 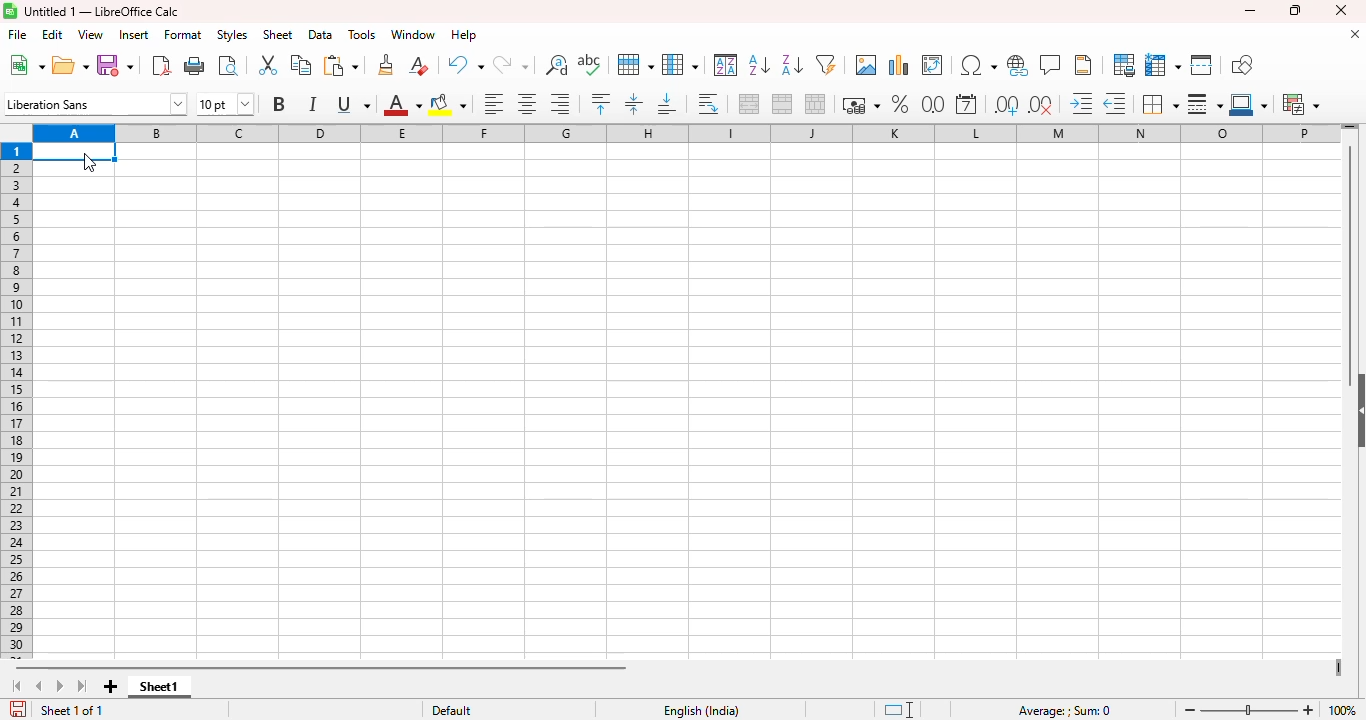 What do you see at coordinates (1164, 66) in the screenshot?
I see `freeze rows and columns` at bounding box center [1164, 66].